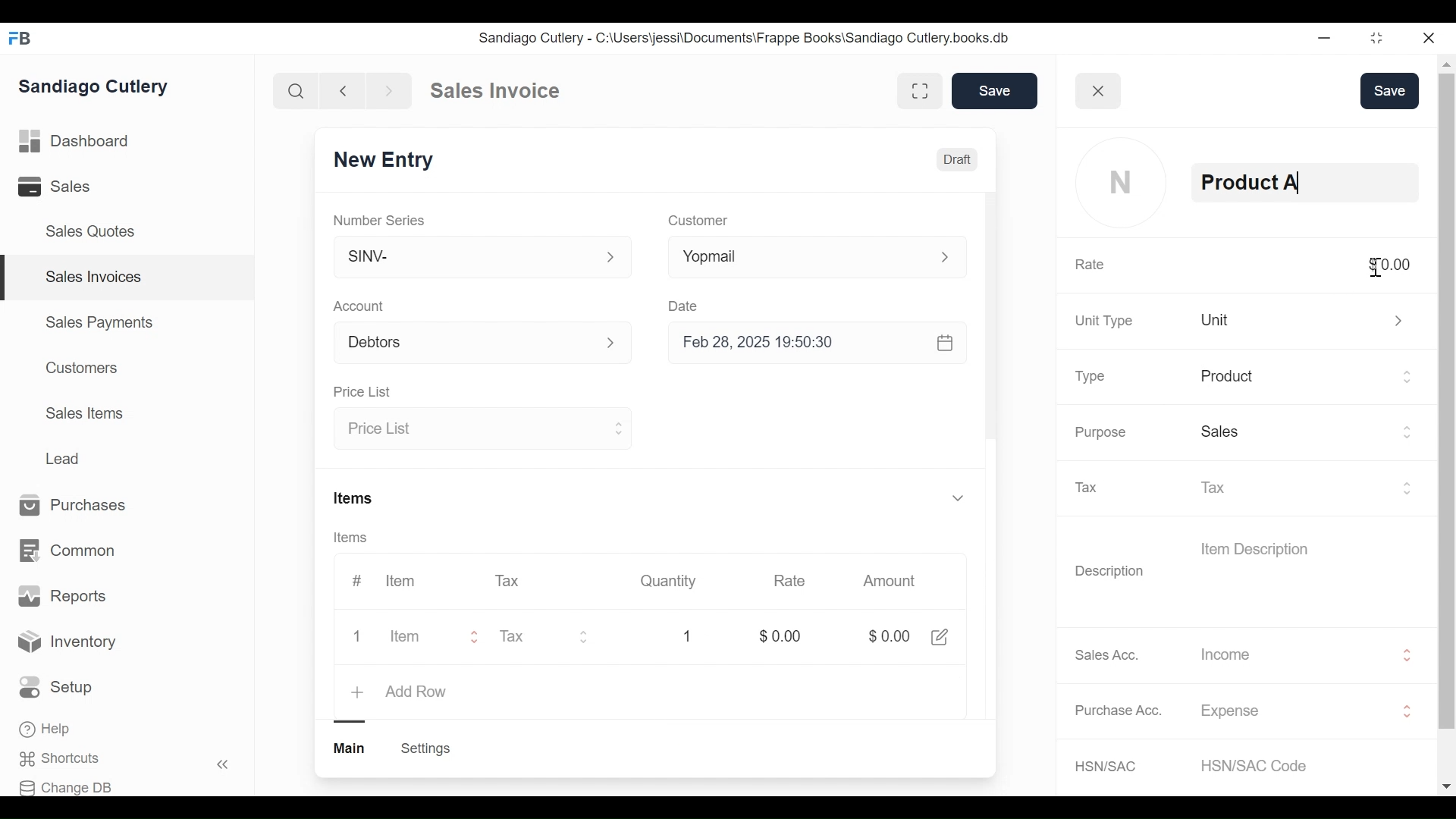  What do you see at coordinates (1094, 488) in the screenshot?
I see `Tax` at bounding box center [1094, 488].